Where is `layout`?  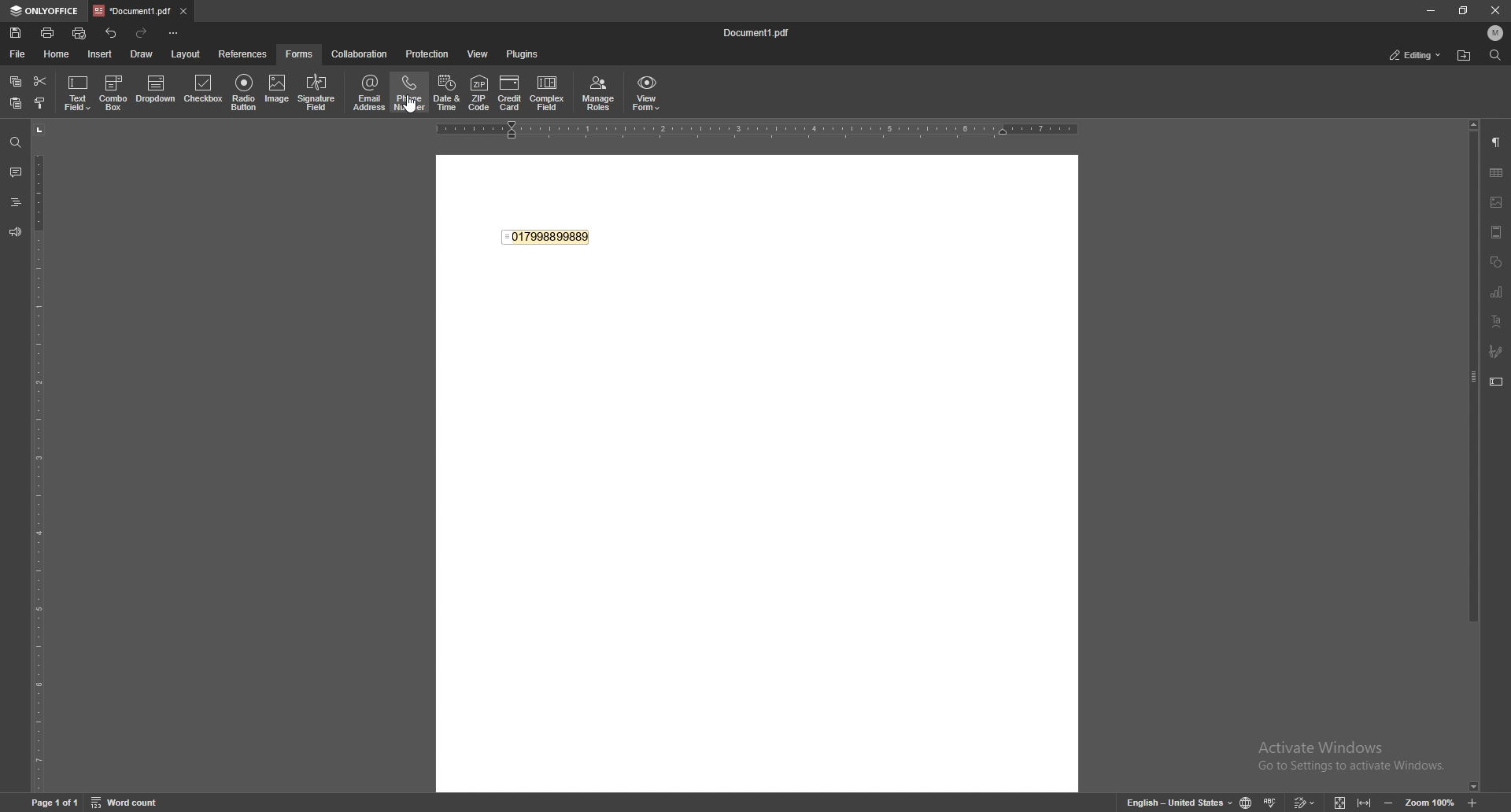
layout is located at coordinates (187, 54).